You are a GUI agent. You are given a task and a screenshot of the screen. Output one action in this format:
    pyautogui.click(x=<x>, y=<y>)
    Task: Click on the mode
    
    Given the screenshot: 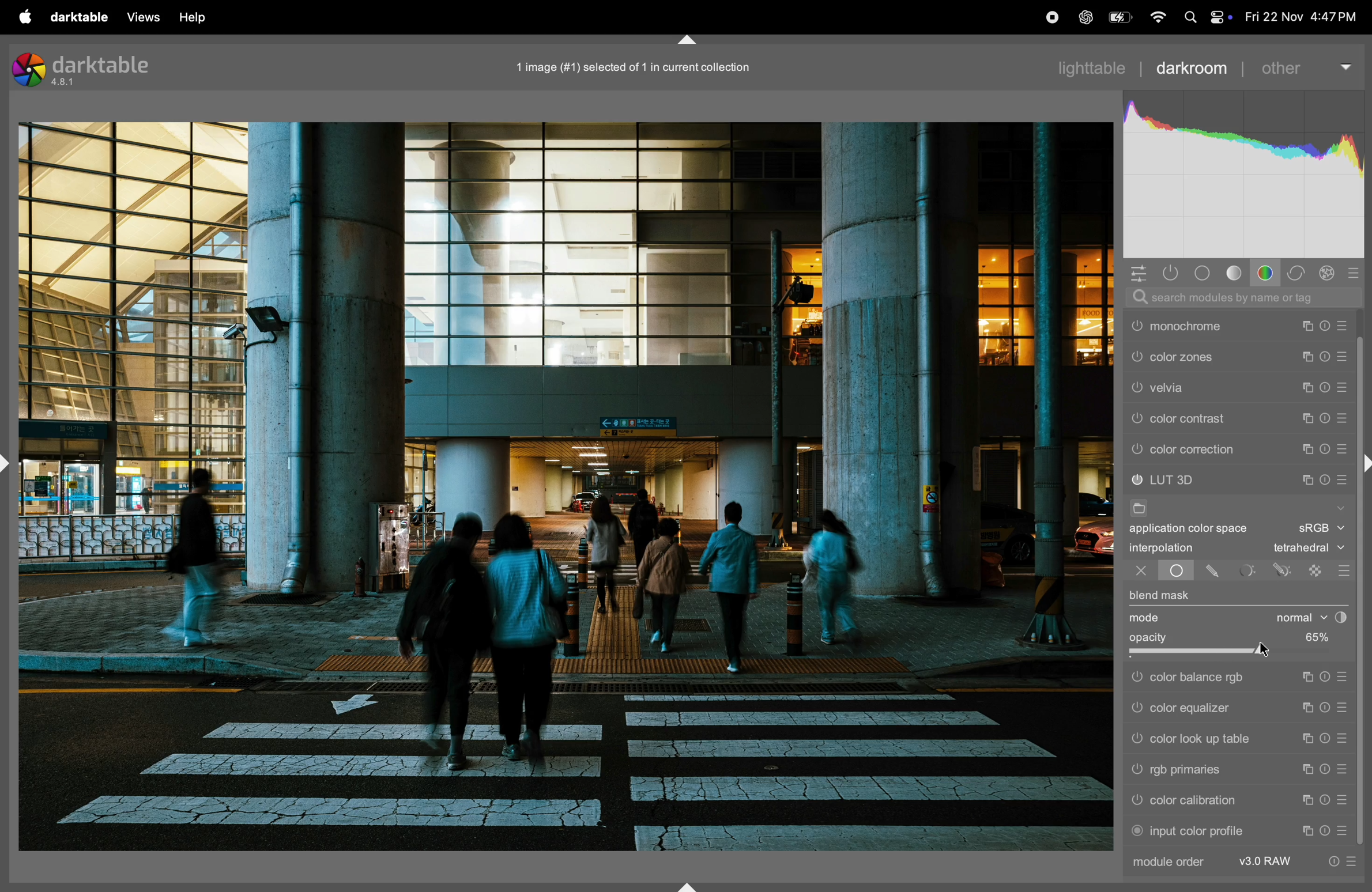 What is the action you would take?
    pyautogui.click(x=1146, y=619)
    